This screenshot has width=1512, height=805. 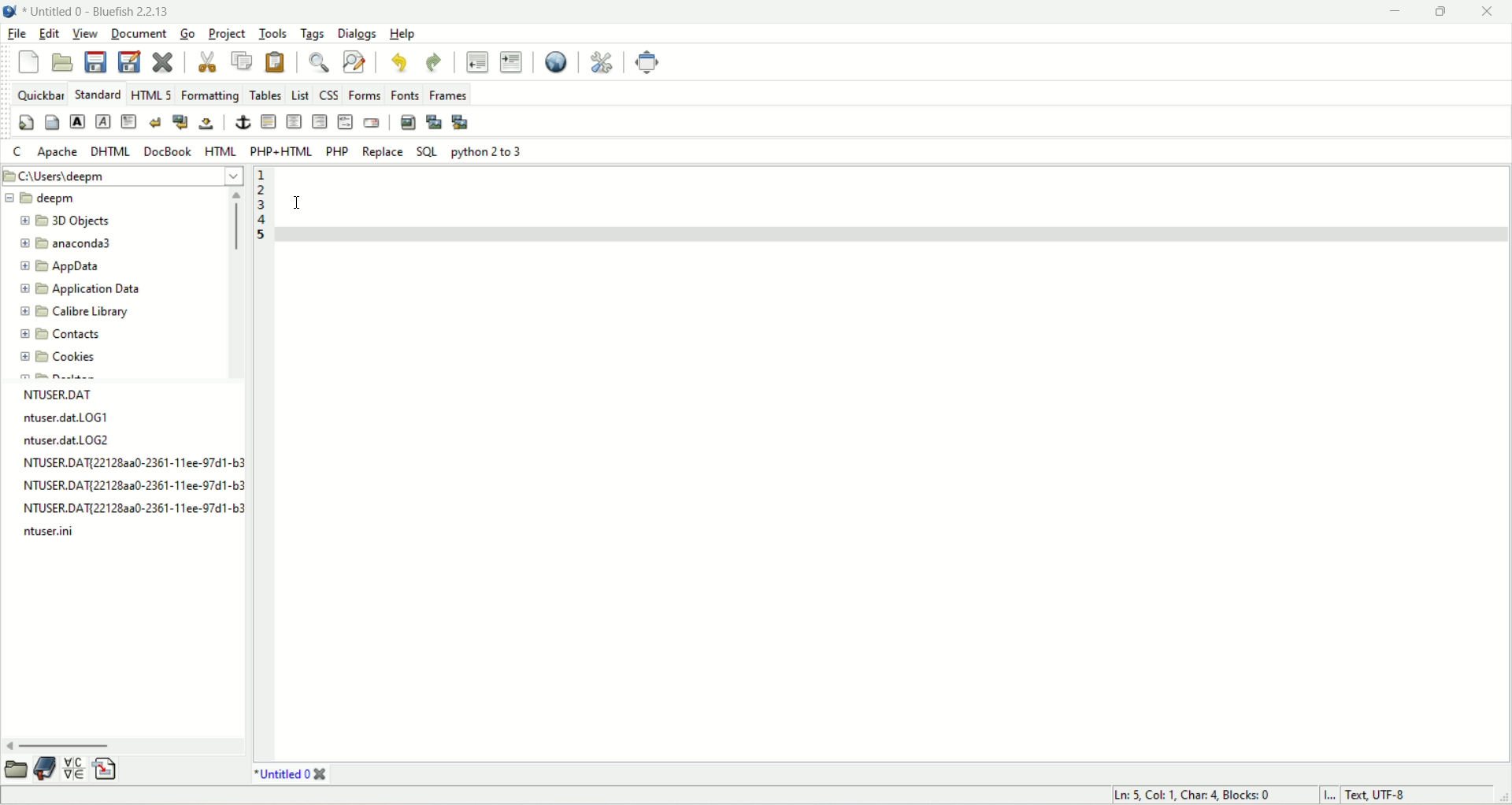 I want to click on LIST, so click(x=299, y=95).